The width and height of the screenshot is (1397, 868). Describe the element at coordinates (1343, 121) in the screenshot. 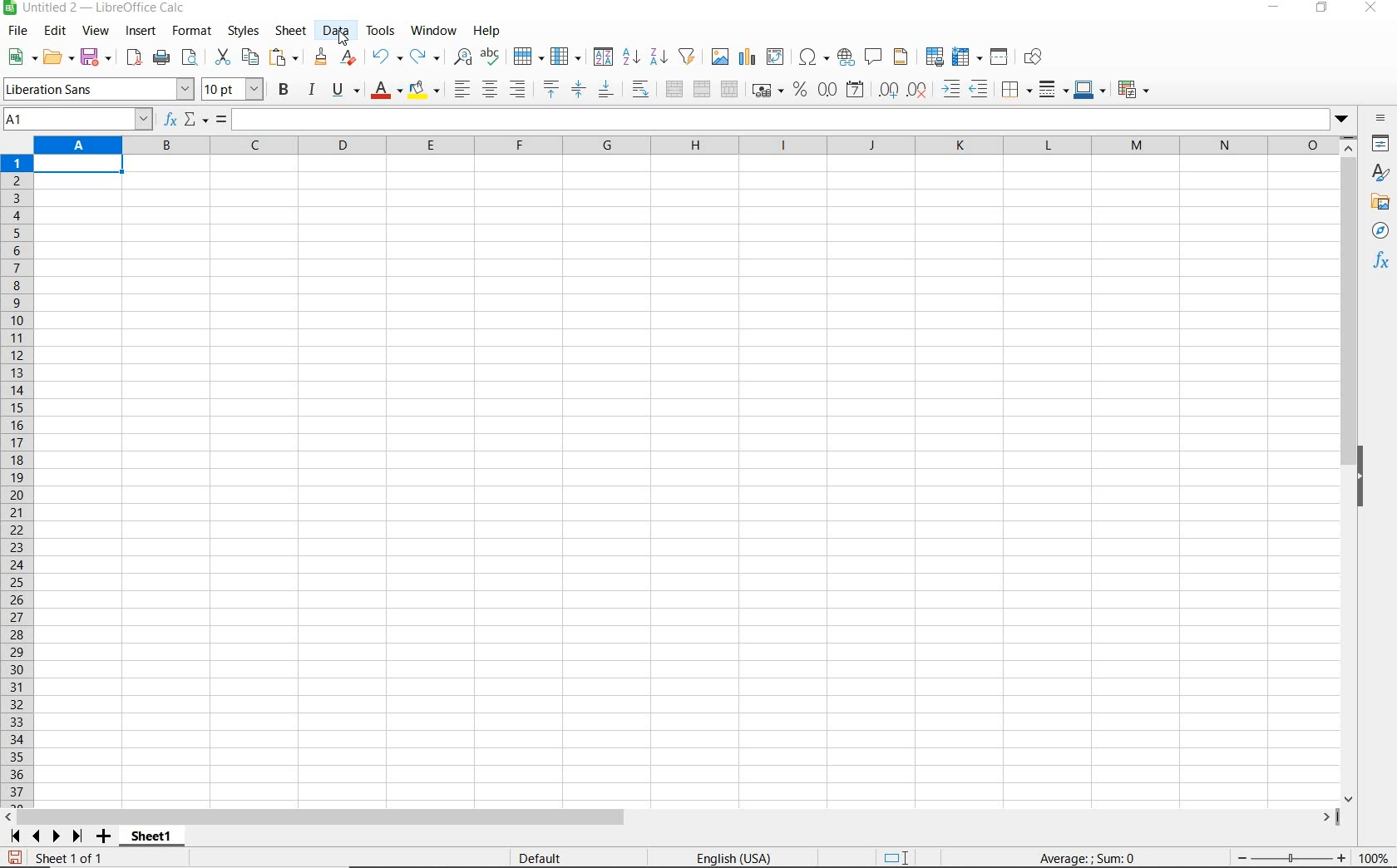

I see `dropdown` at that location.